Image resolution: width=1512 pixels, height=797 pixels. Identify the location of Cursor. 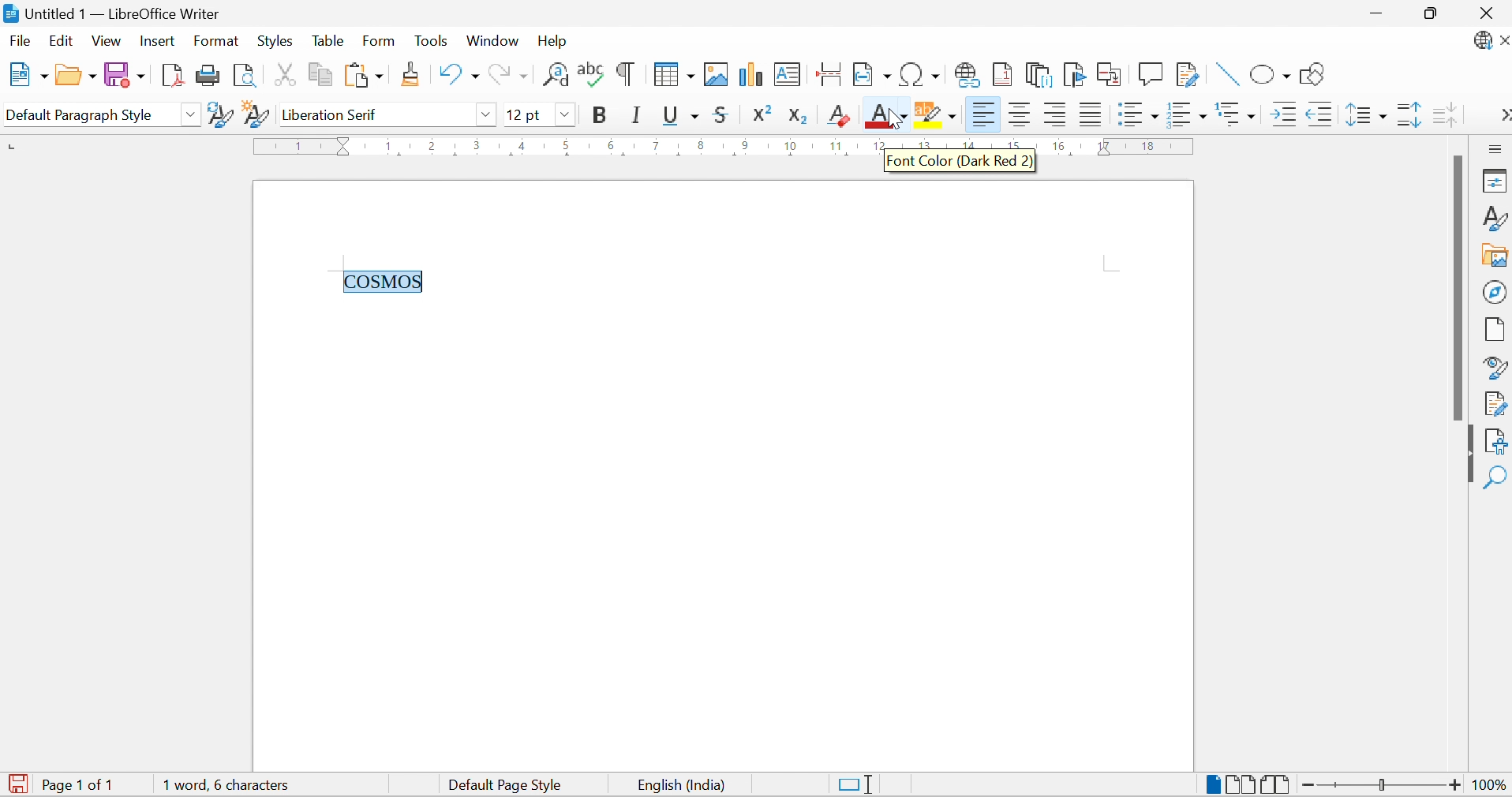
(892, 118).